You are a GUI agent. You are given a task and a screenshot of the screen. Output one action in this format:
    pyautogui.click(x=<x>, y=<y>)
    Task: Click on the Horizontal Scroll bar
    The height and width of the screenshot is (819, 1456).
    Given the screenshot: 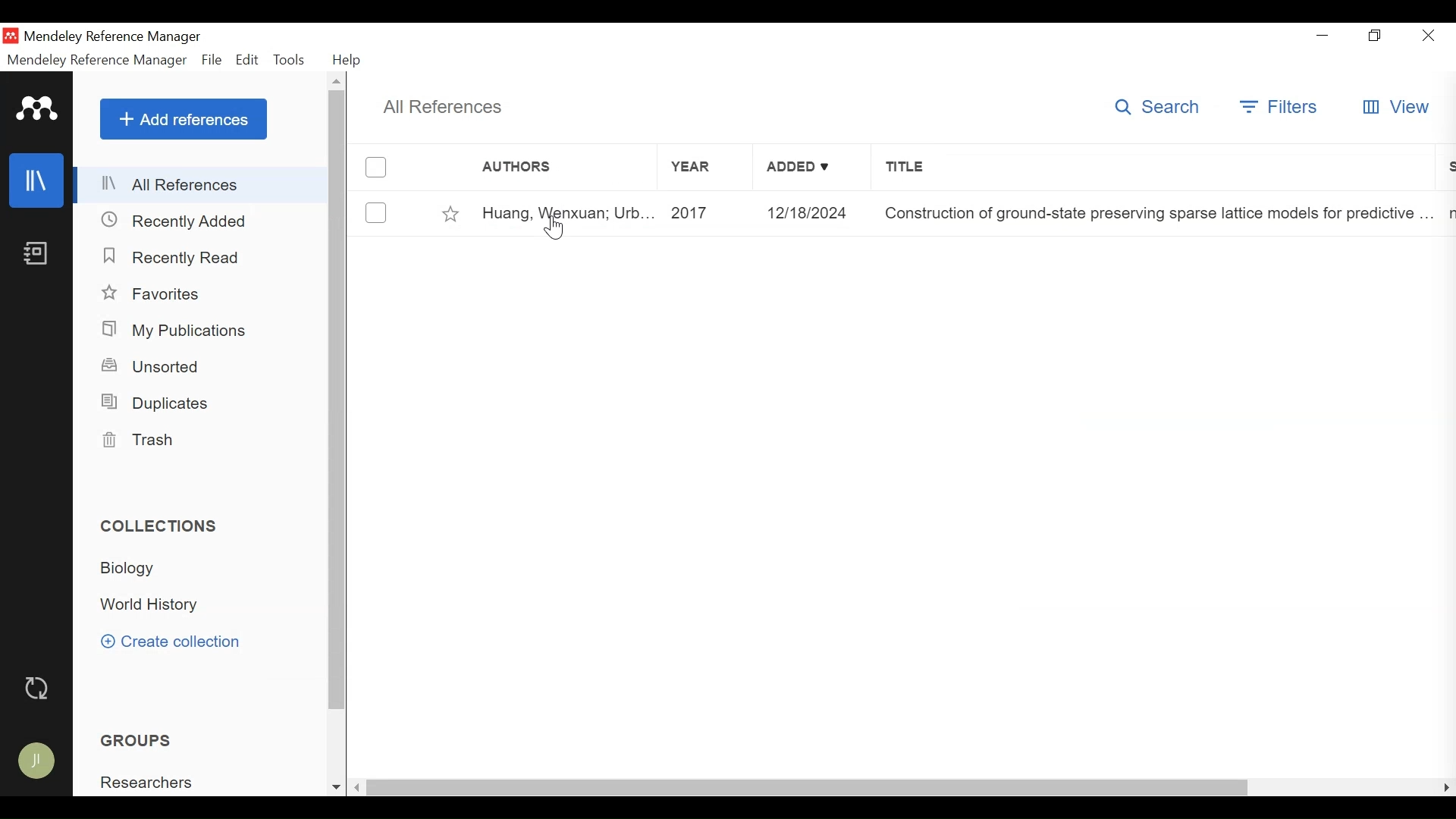 What is the action you would take?
    pyautogui.click(x=807, y=789)
    